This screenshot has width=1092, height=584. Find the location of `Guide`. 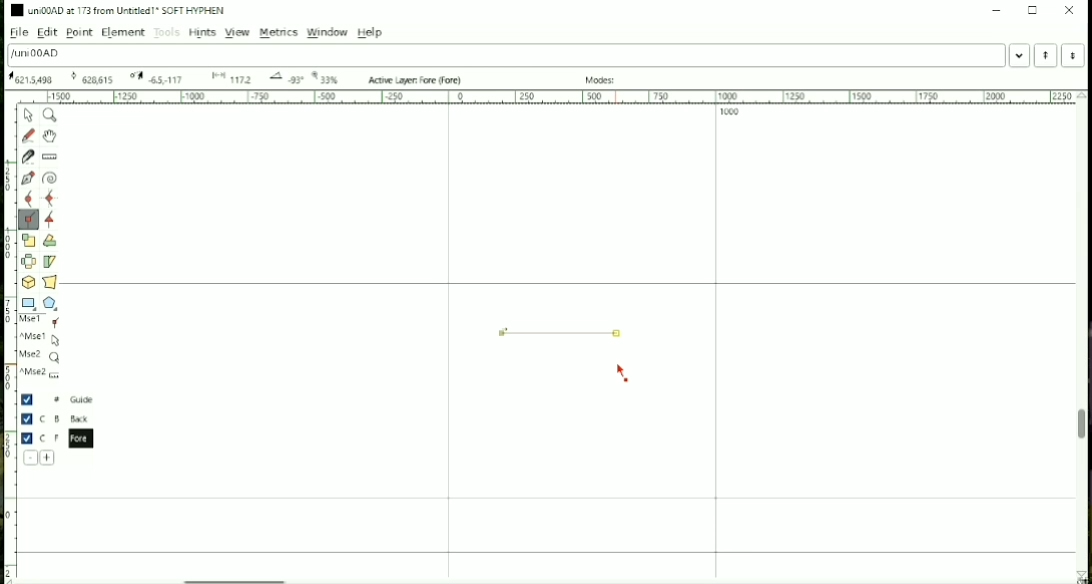

Guide is located at coordinates (59, 400).